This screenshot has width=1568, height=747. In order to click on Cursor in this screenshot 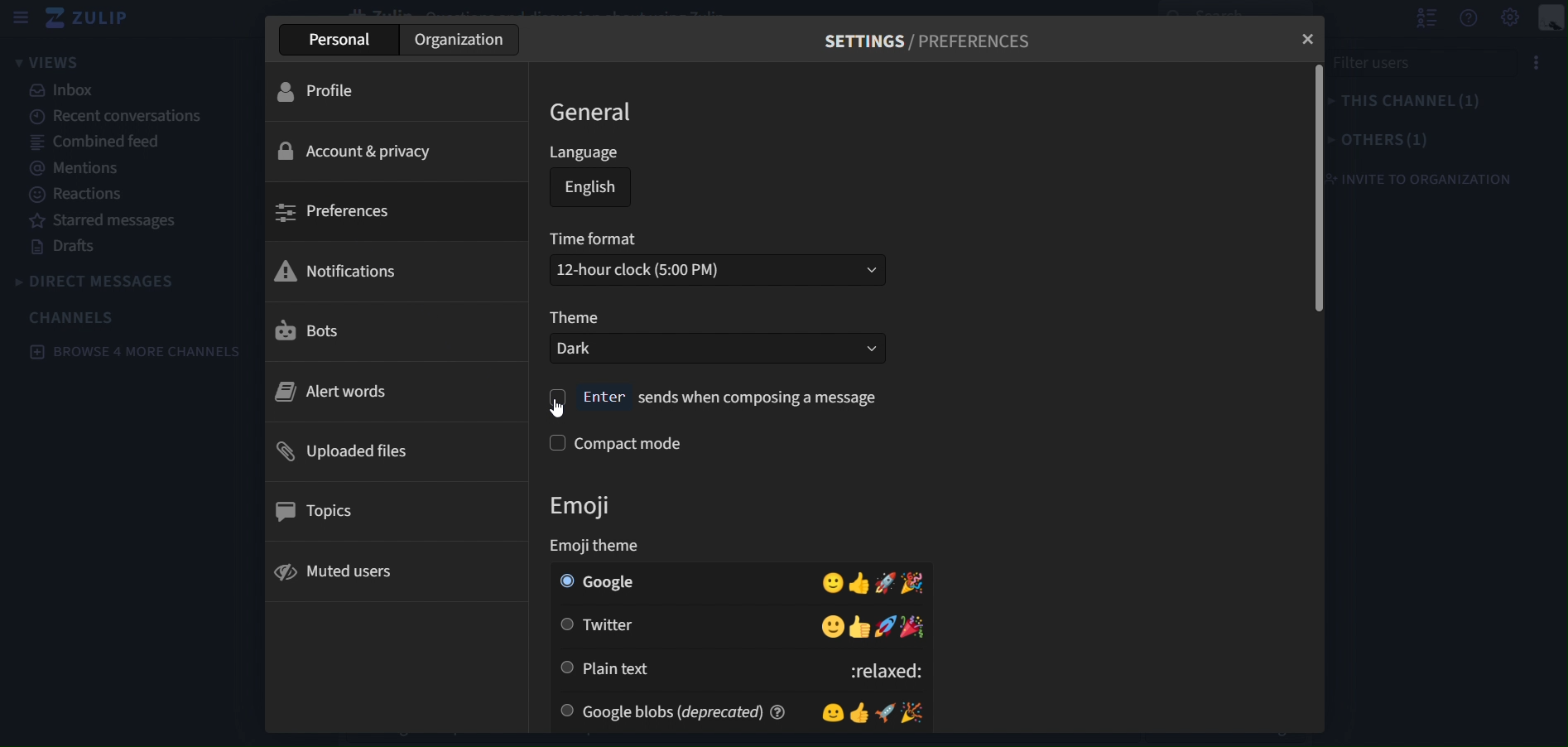, I will do `click(565, 406)`.